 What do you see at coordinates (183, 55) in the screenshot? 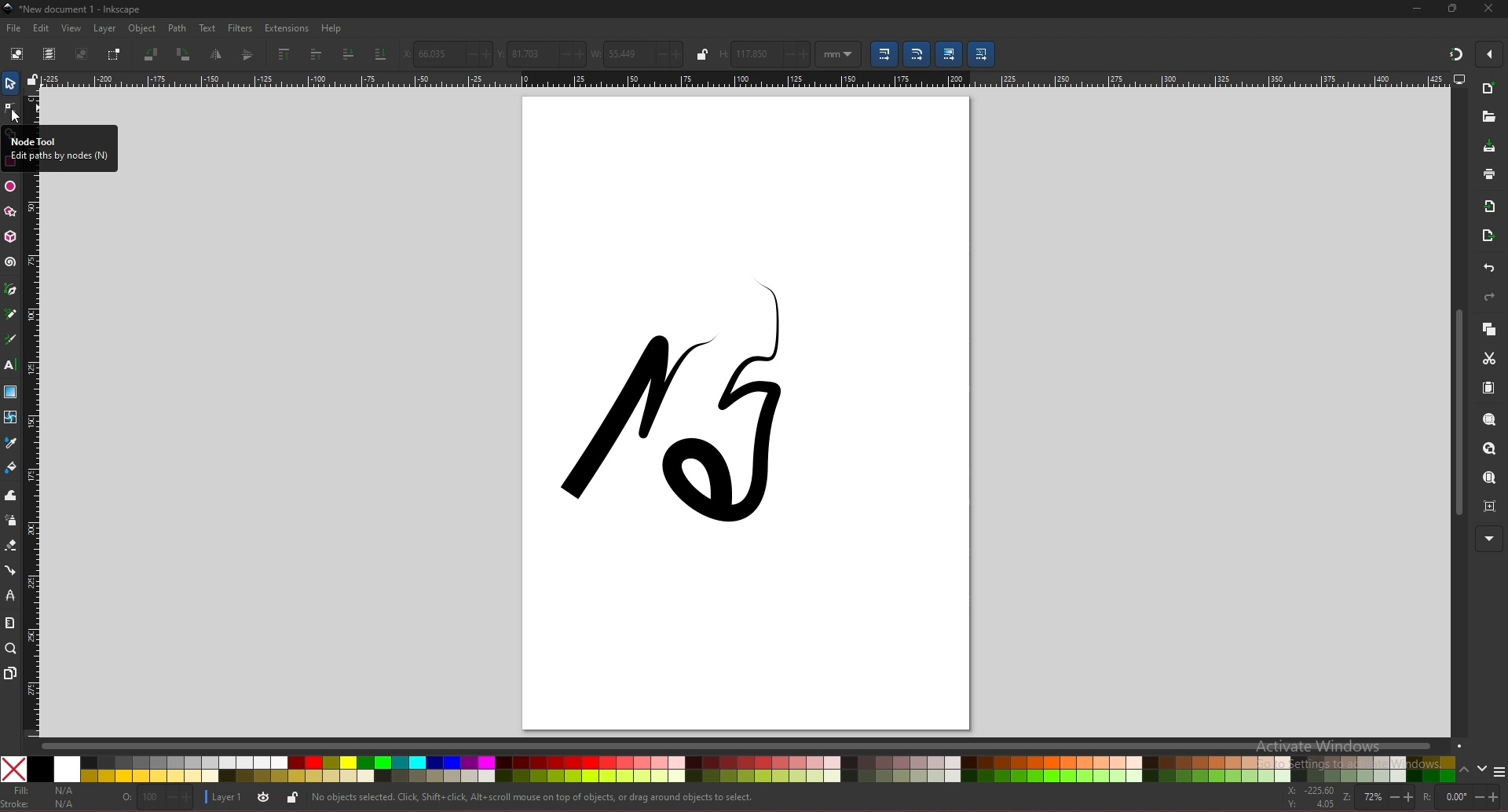
I see `rotate 90 degree cw` at bounding box center [183, 55].